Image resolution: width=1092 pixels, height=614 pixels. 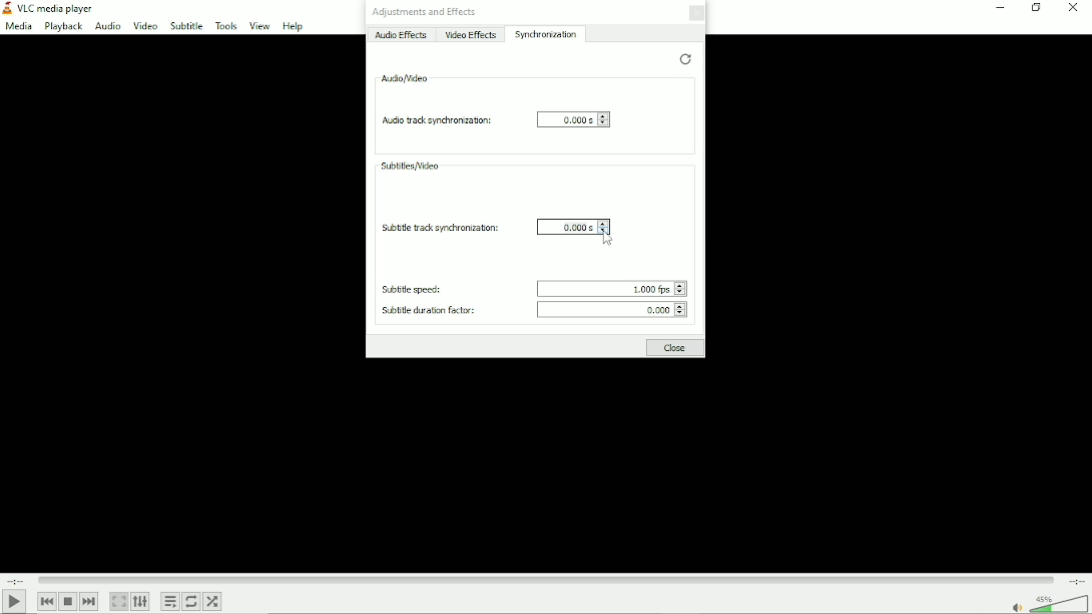 What do you see at coordinates (614, 310) in the screenshot?
I see `0.000` at bounding box center [614, 310].